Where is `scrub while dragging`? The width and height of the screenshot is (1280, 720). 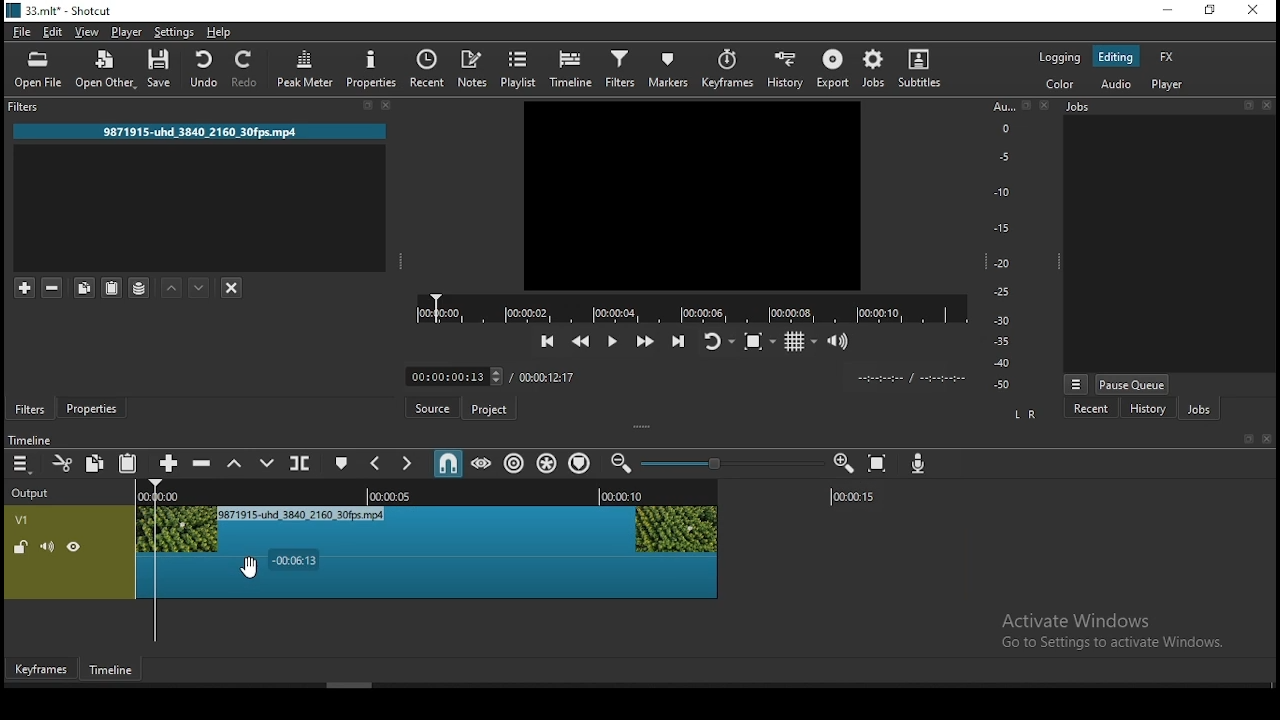
scrub while dragging is located at coordinates (483, 465).